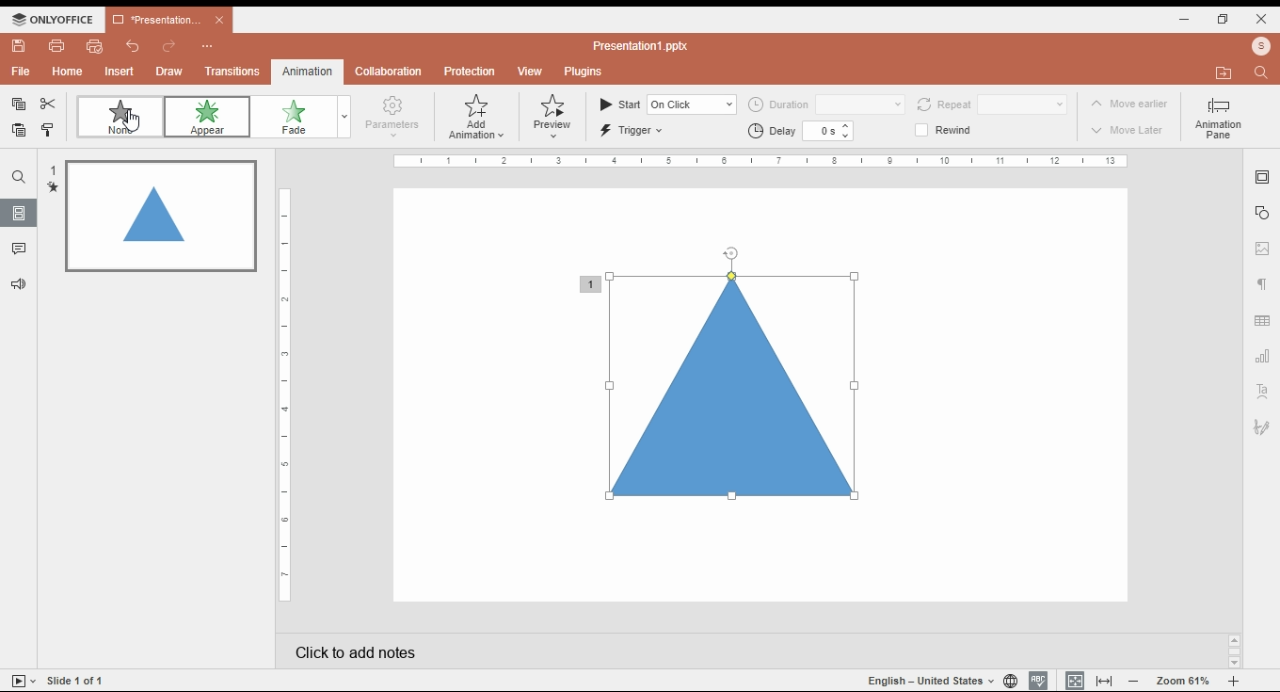 This screenshot has width=1280, height=692. I want to click on vertical scale , so click(284, 401).